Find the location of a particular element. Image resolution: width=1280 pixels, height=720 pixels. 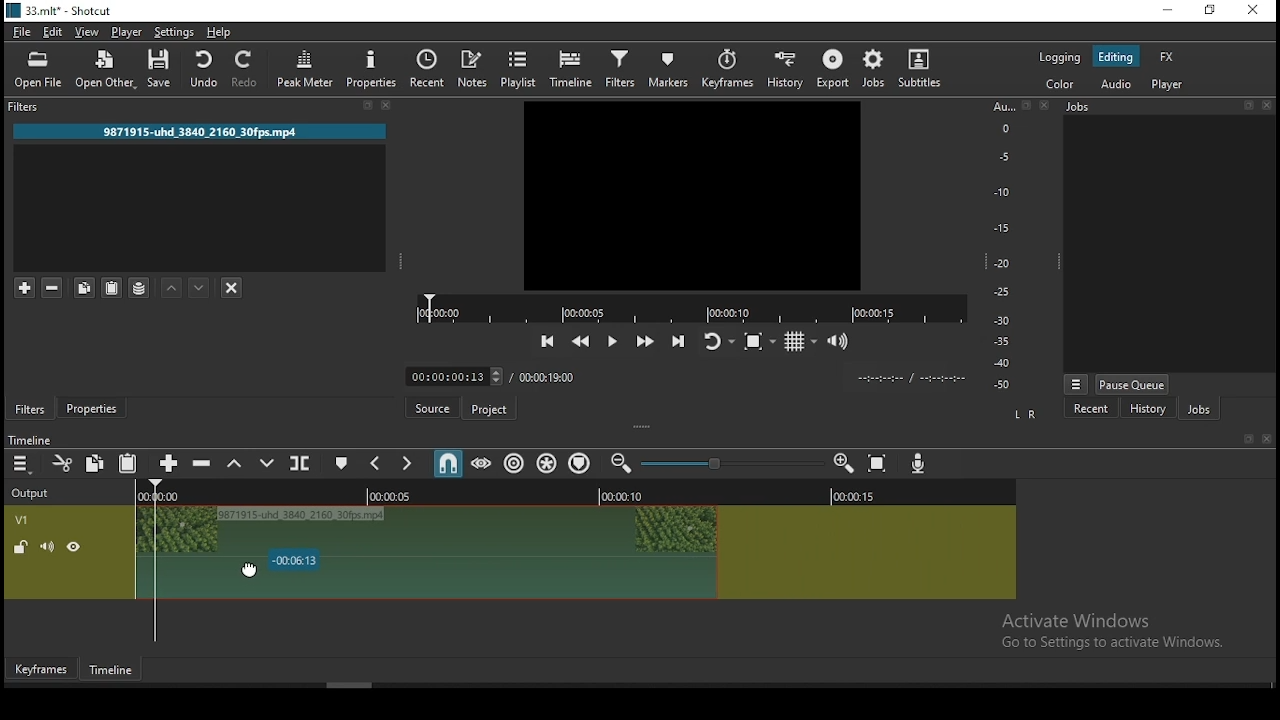

view is located at coordinates (91, 32).